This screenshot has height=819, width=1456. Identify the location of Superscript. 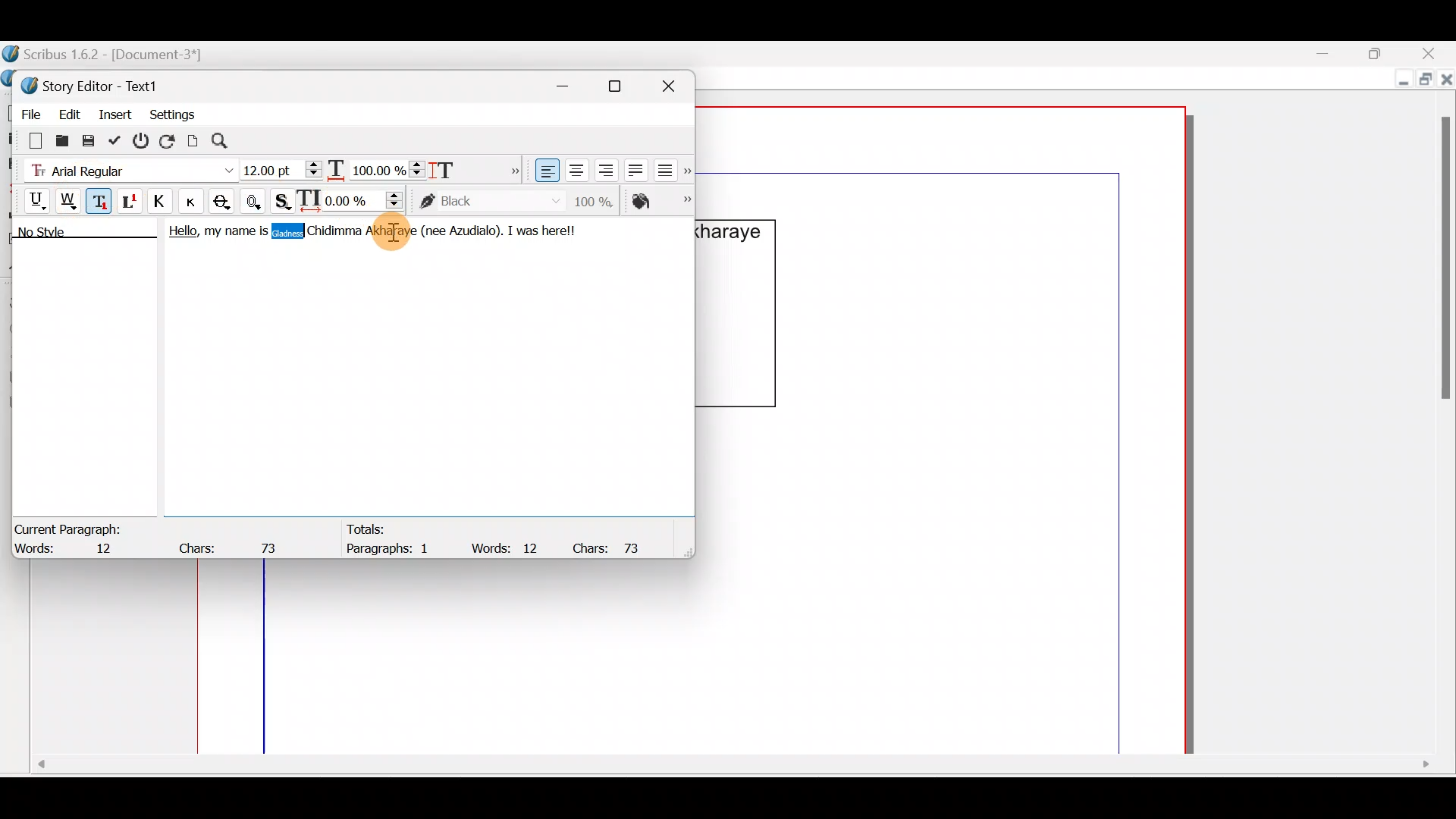
(131, 203).